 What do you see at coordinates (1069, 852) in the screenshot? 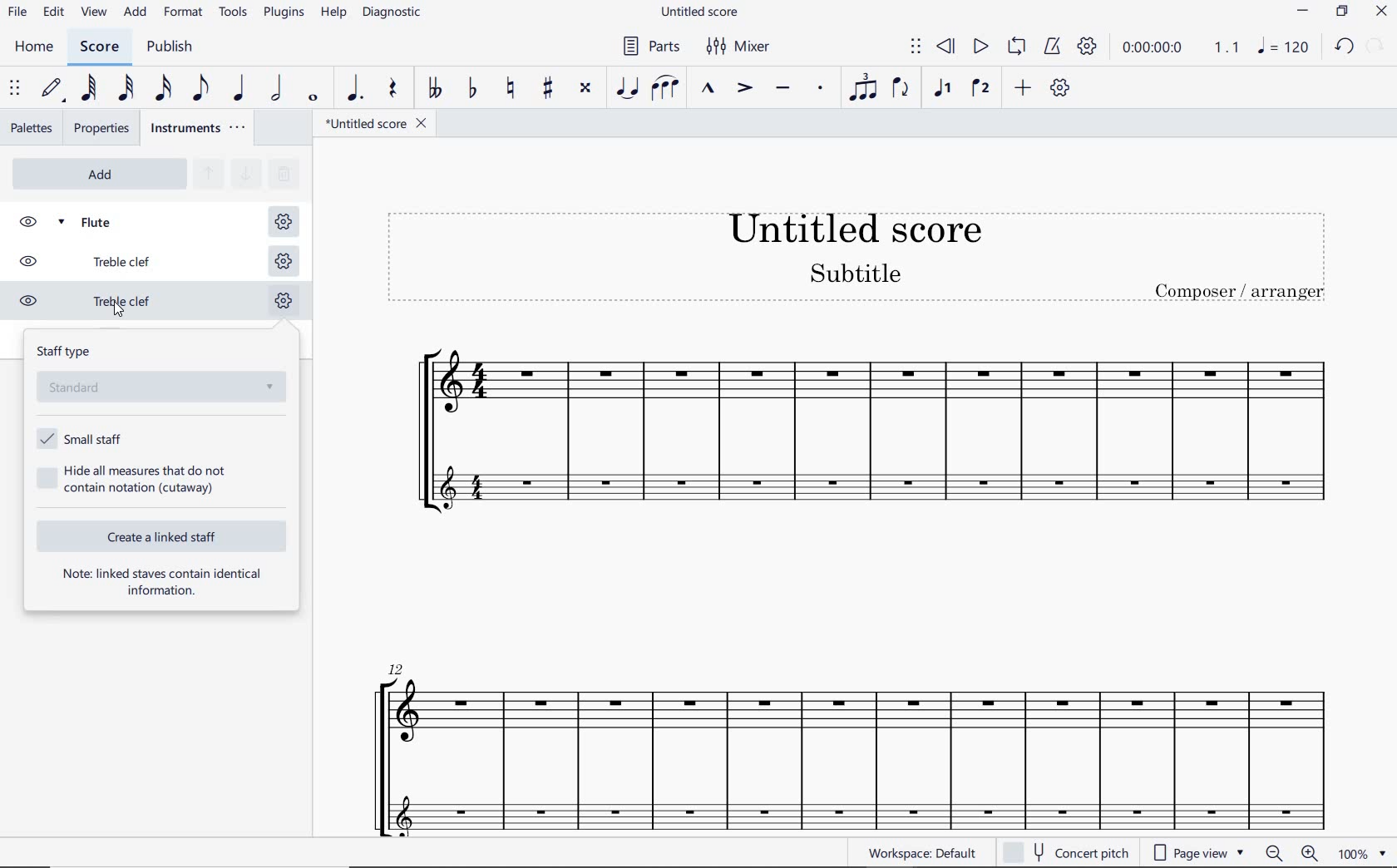
I see `concert pitch` at bounding box center [1069, 852].